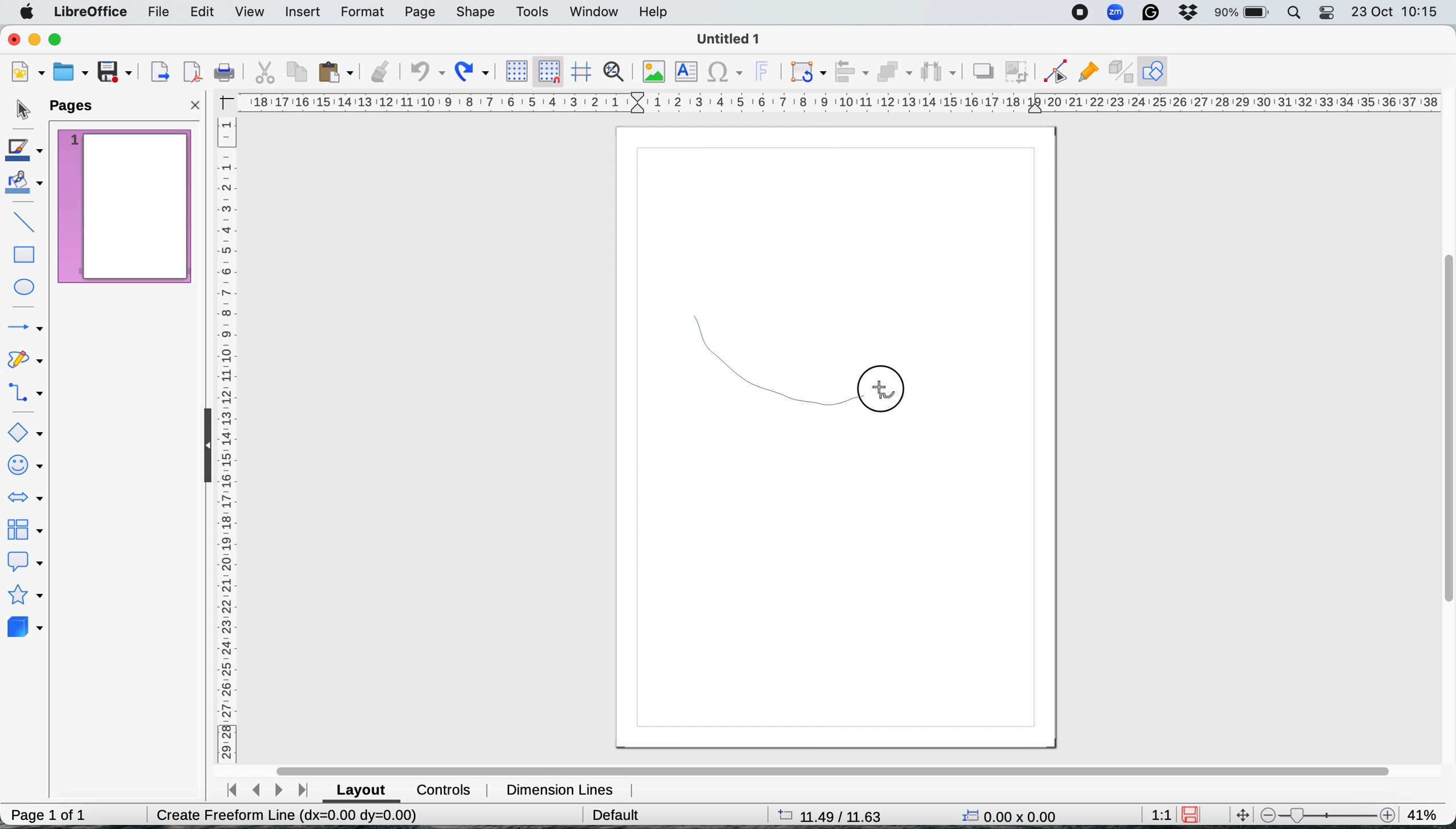 The width and height of the screenshot is (1456, 829). Describe the element at coordinates (56, 39) in the screenshot. I see `maximise` at that location.